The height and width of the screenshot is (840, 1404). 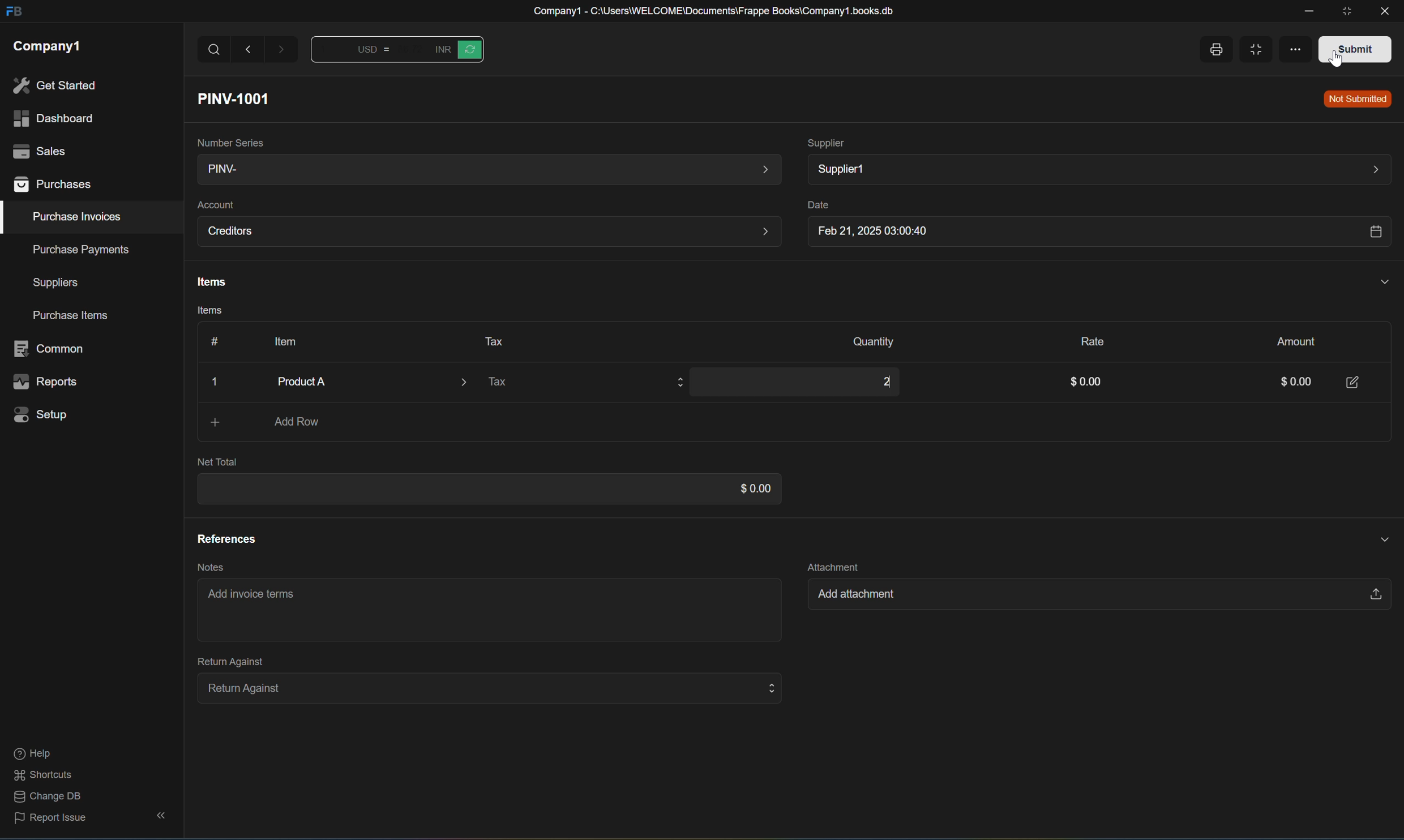 I want to click on Submit, so click(x=1355, y=48).